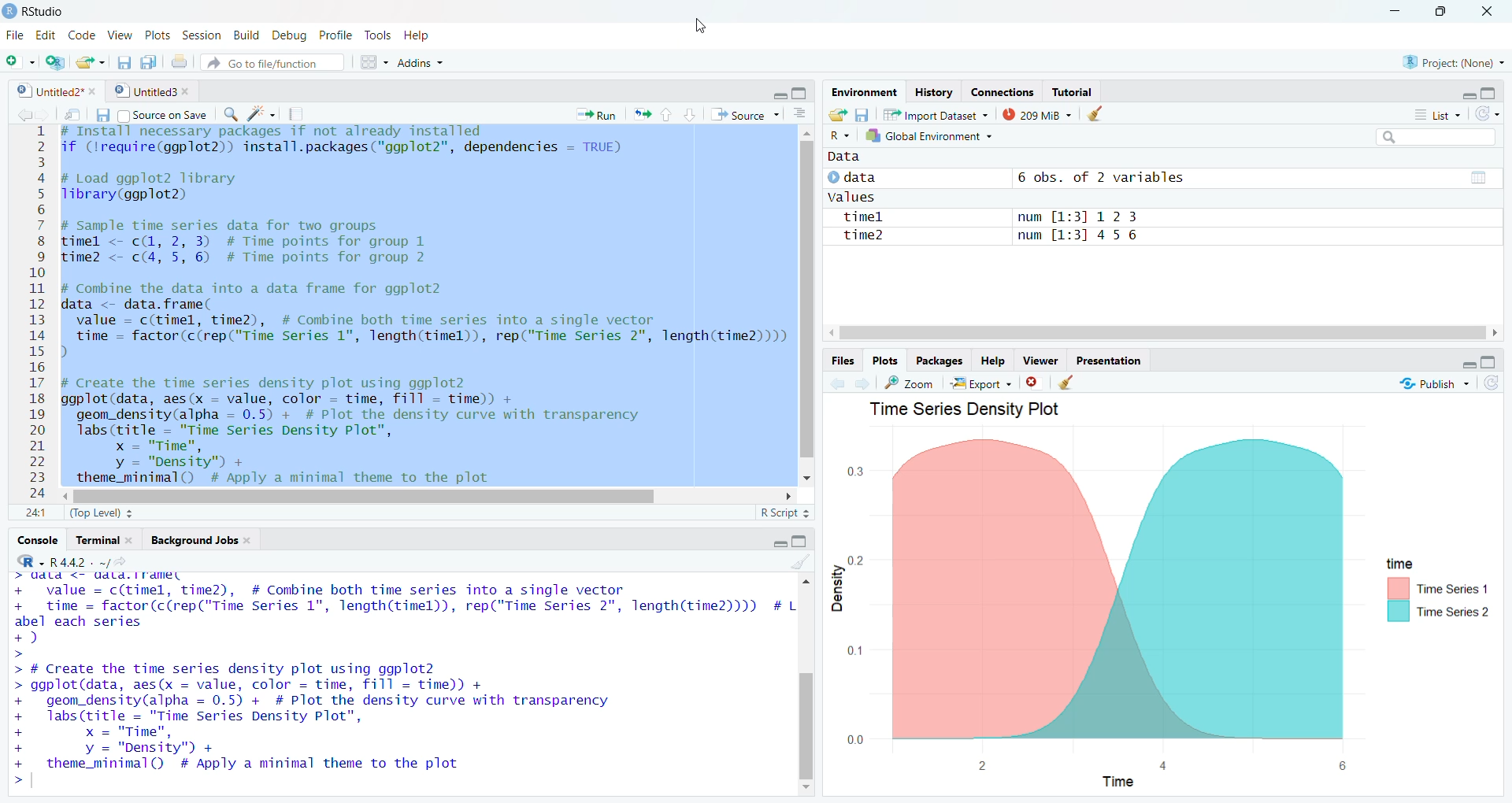 This screenshot has width=1512, height=803. What do you see at coordinates (102, 114) in the screenshot?
I see `Save` at bounding box center [102, 114].